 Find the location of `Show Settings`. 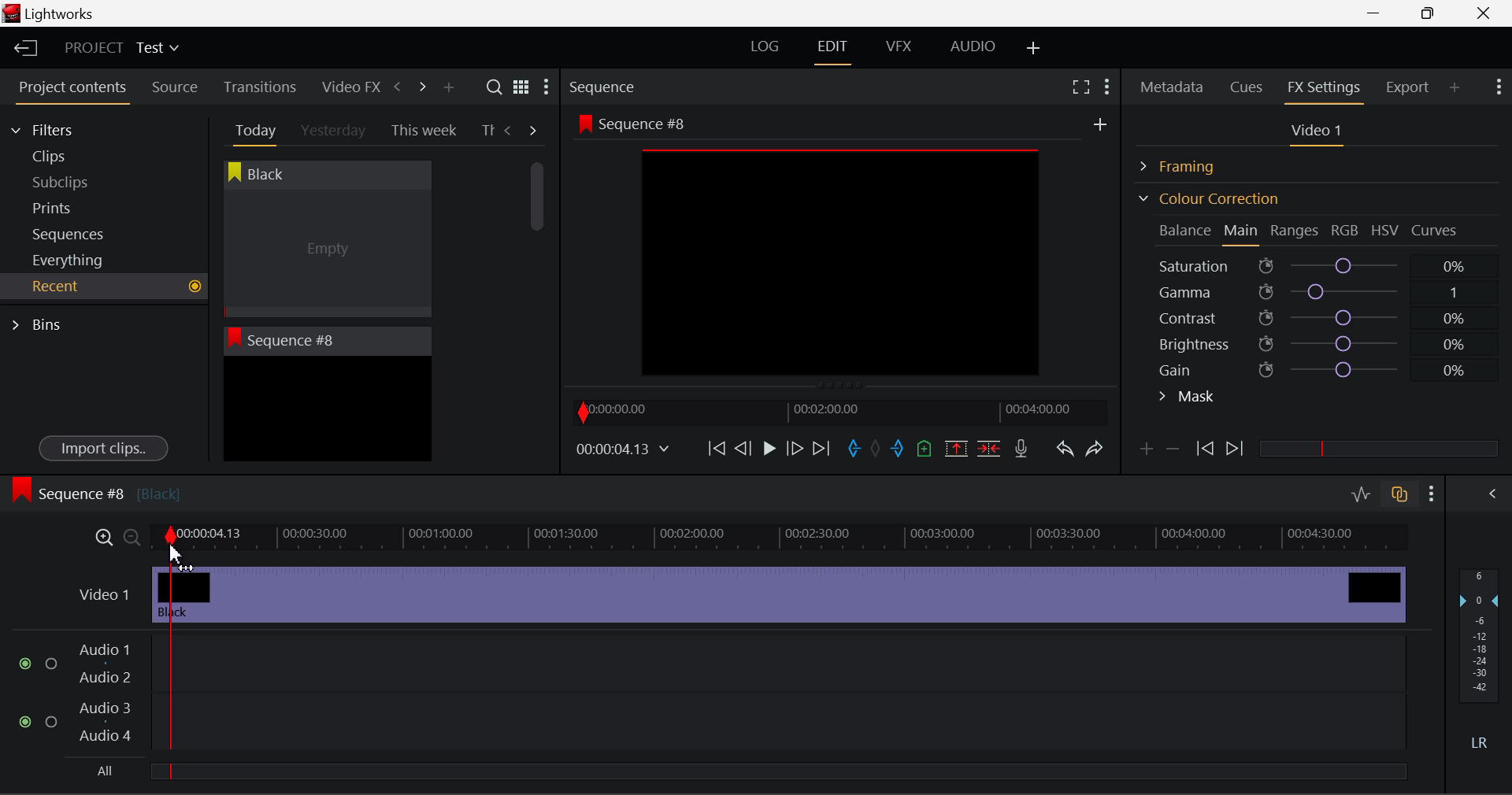

Show Settings is located at coordinates (1106, 84).